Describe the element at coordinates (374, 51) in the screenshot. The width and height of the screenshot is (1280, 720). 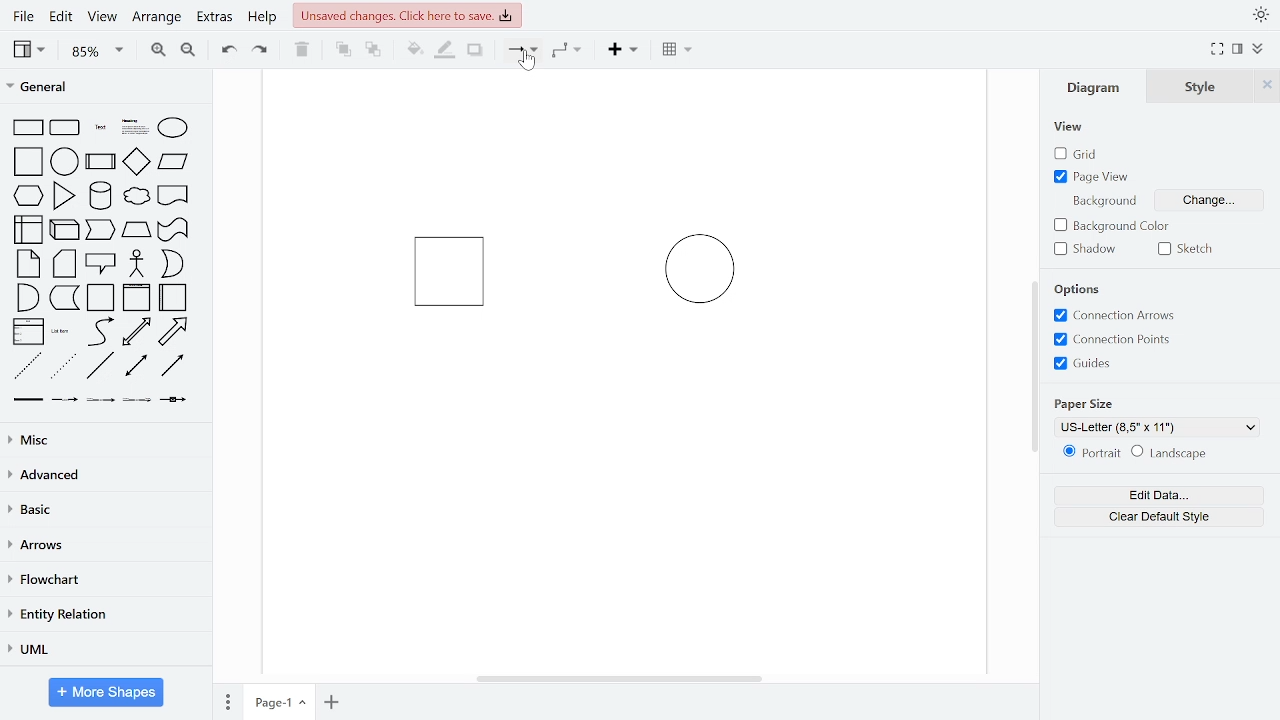
I see `to back` at that location.